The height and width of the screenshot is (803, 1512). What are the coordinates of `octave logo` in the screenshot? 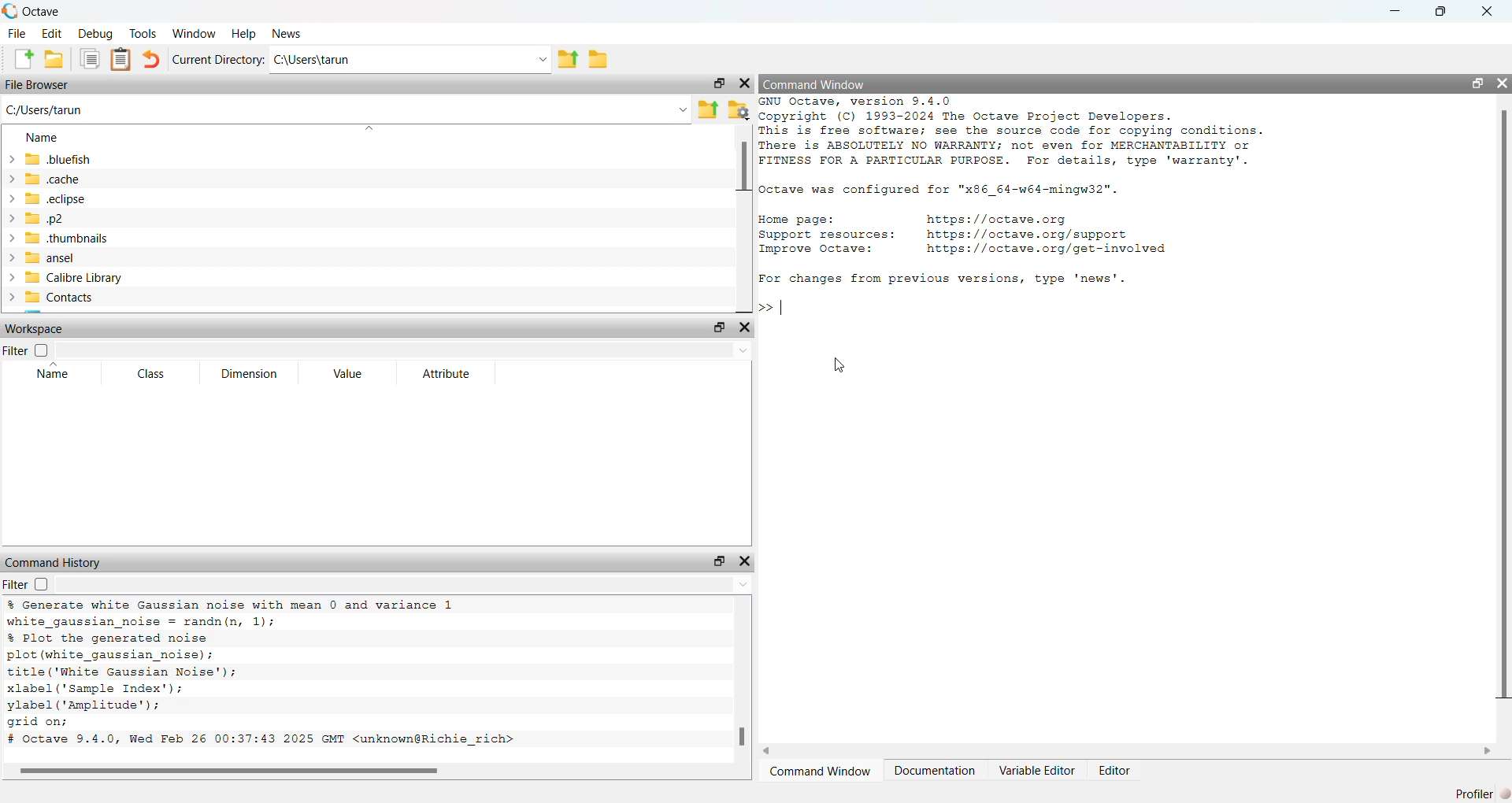 It's located at (9, 11).